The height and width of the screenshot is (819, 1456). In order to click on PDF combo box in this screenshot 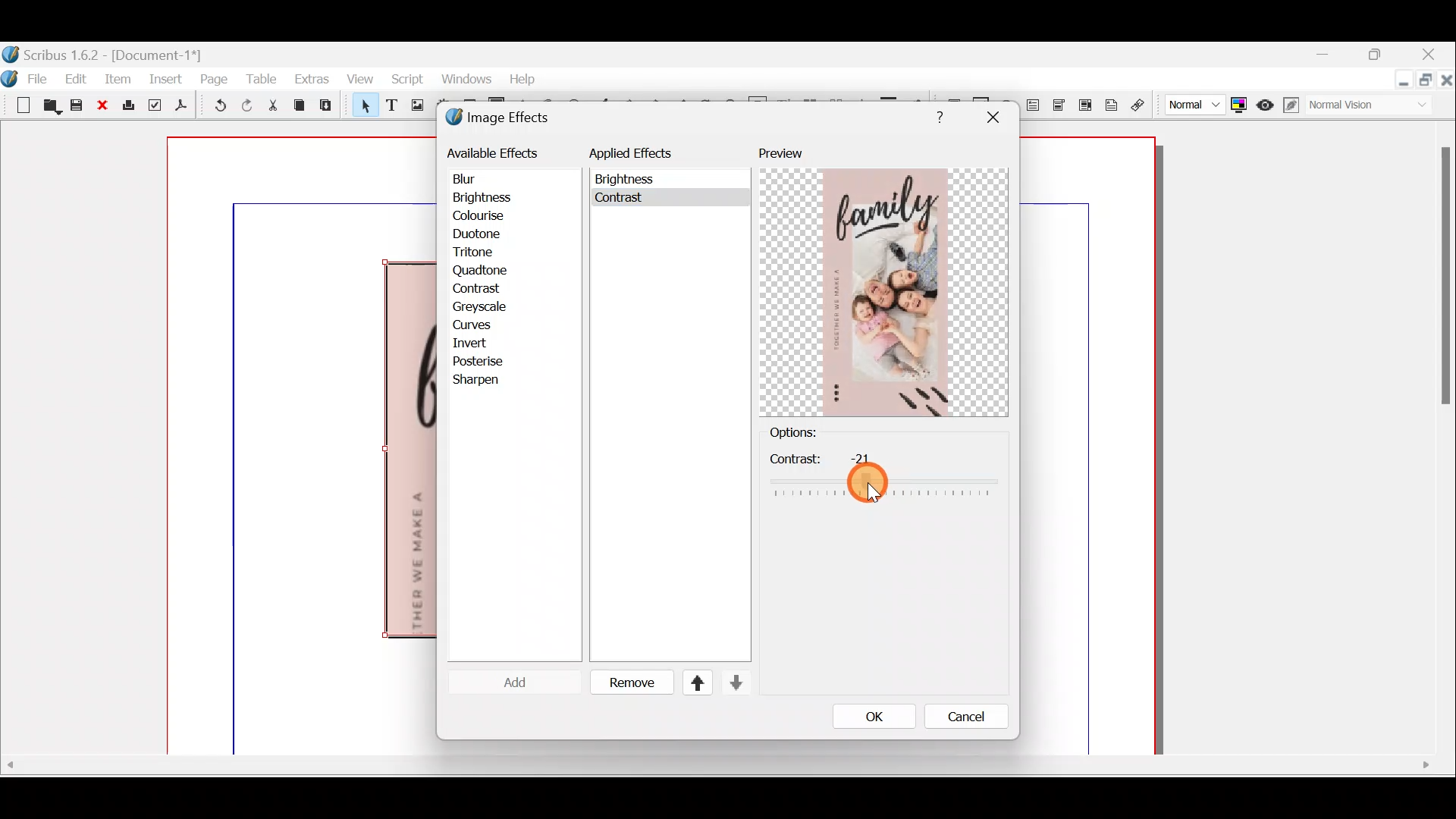, I will do `click(1060, 105)`.